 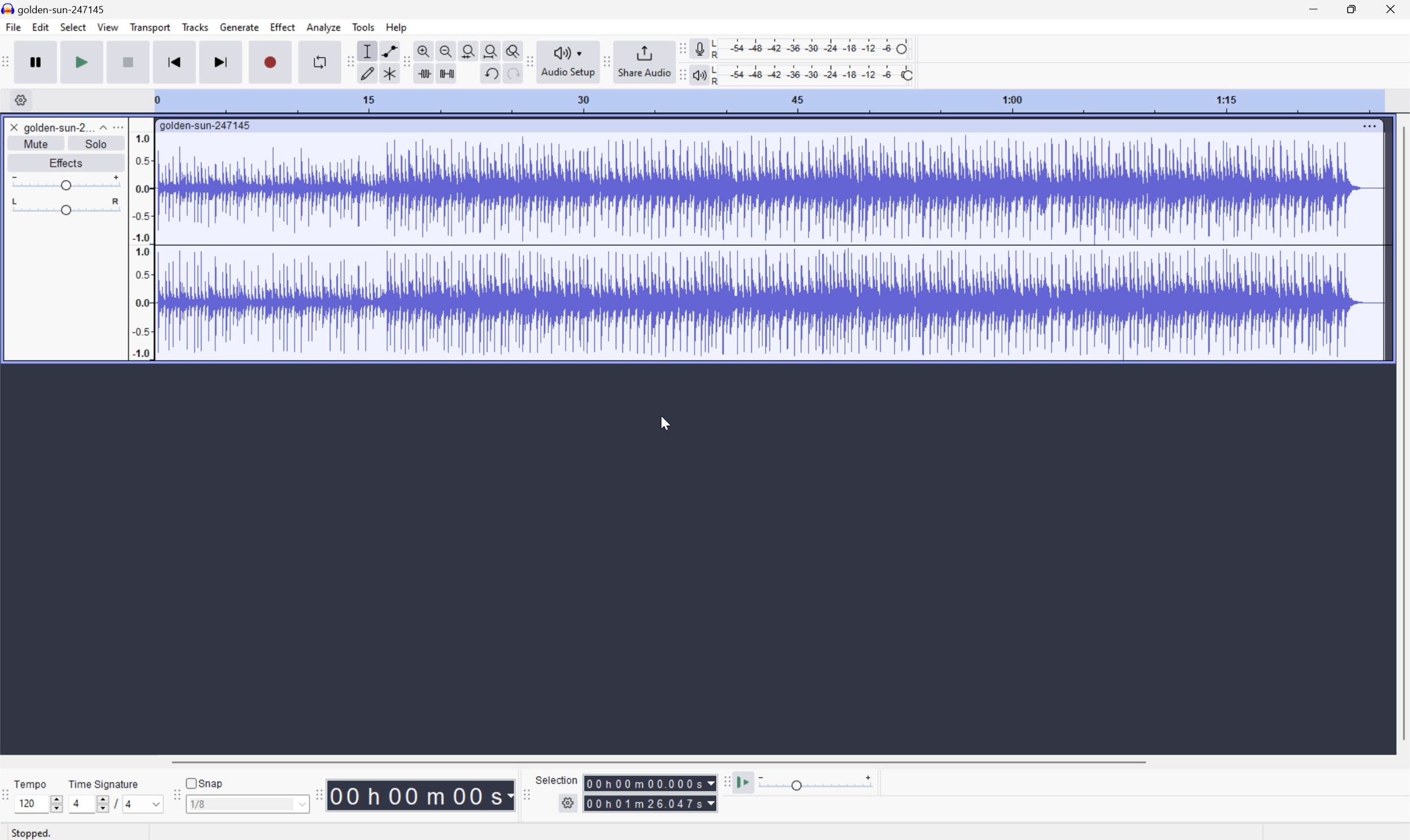 I want to click on Playback meter, so click(x=700, y=74).